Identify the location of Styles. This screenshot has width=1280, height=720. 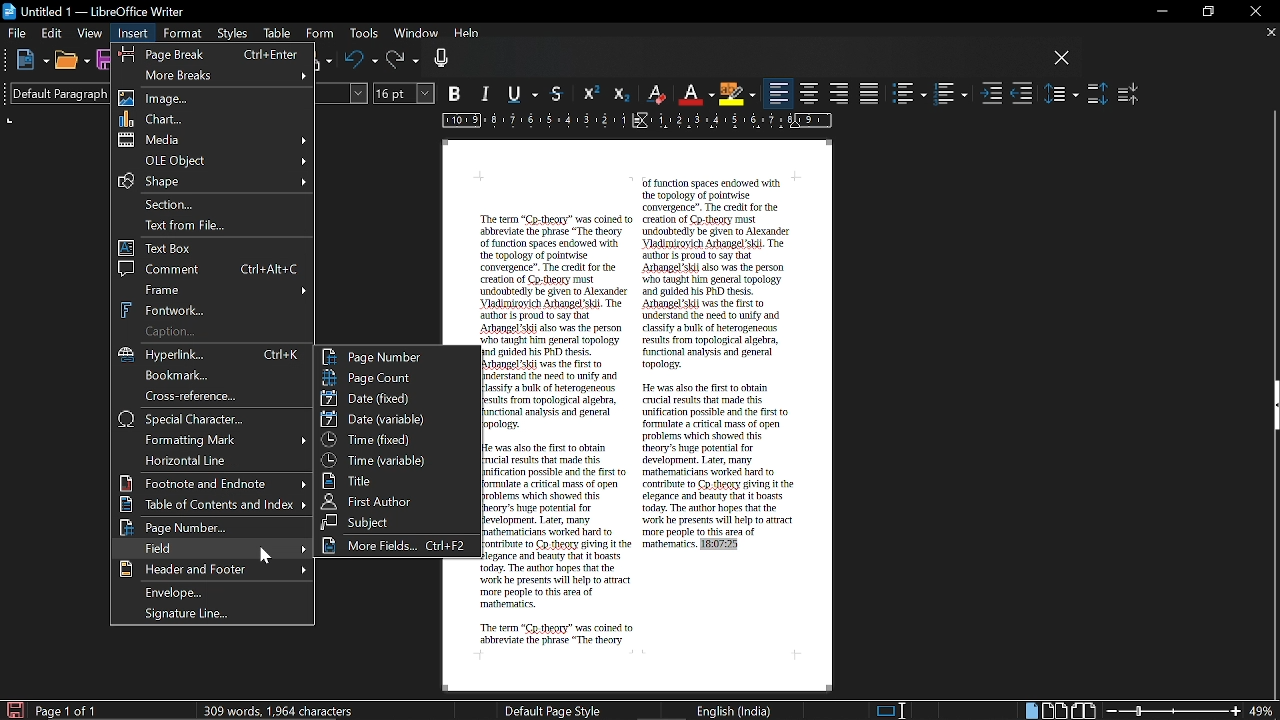
(234, 35).